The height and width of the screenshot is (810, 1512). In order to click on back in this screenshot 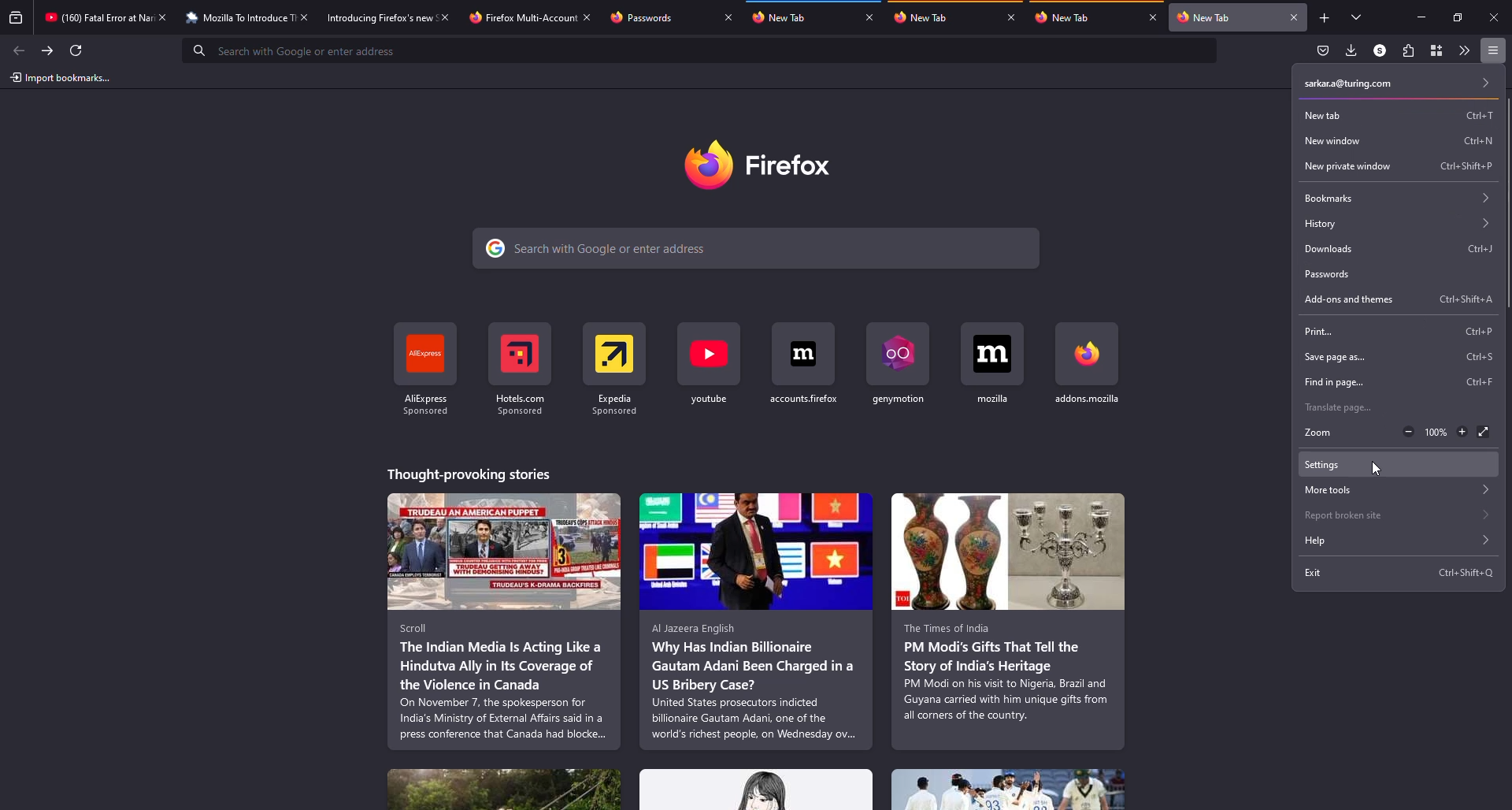, I will do `click(15, 47)`.